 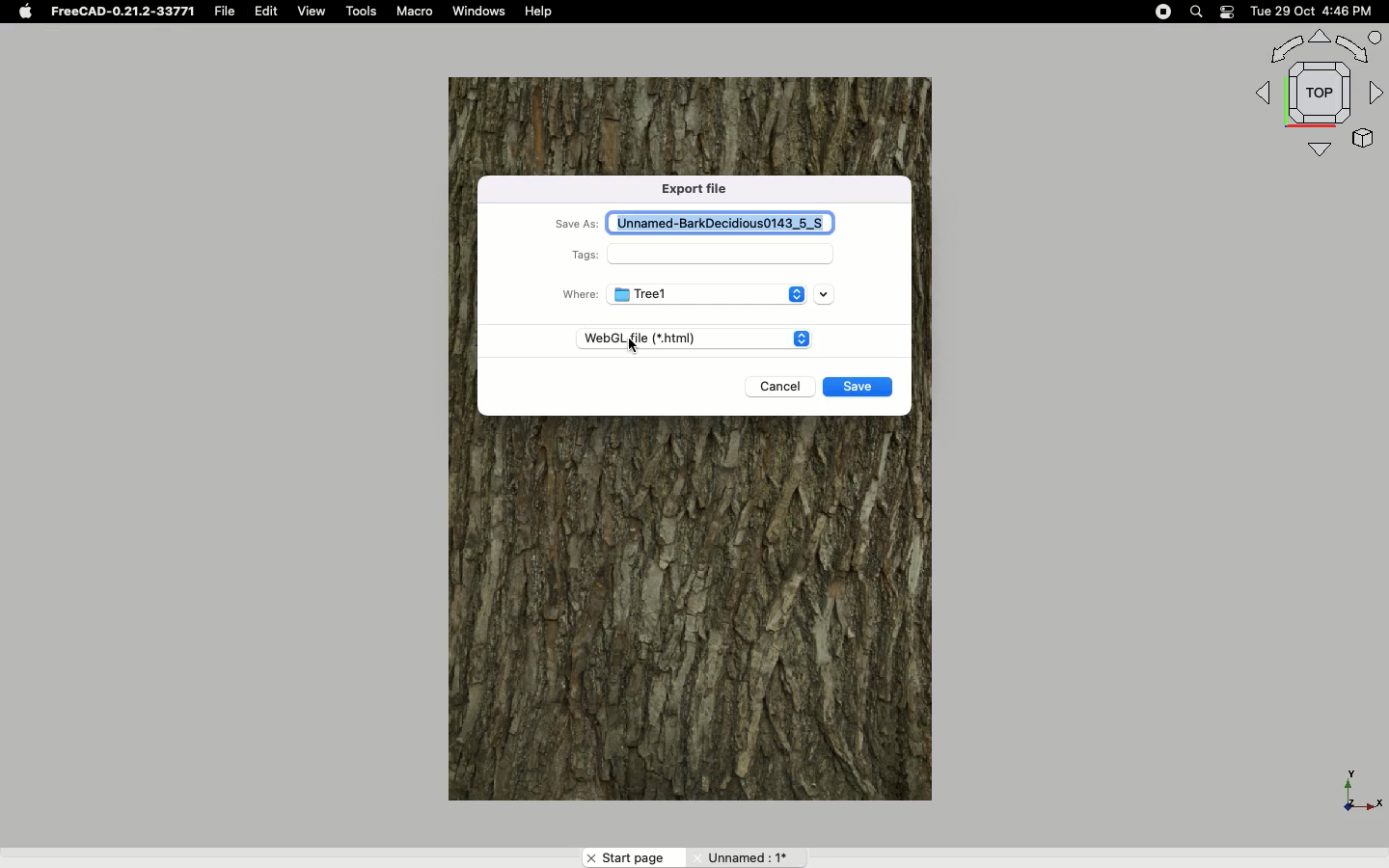 What do you see at coordinates (858, 386) in the screenshot?
I see `Save` at bounding box center [858, 386].